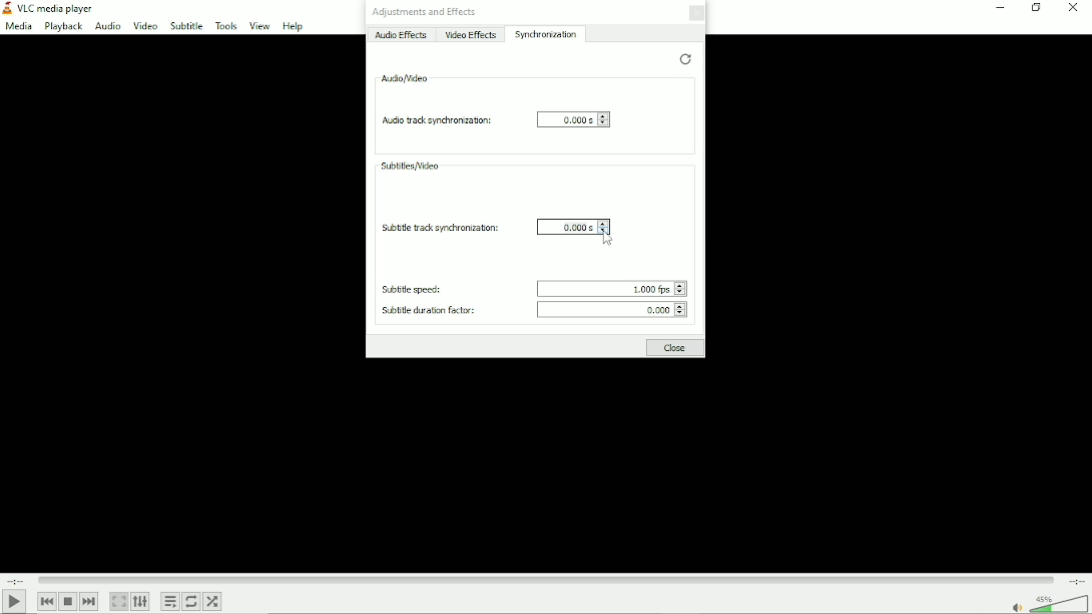 This screenshot has height=614, width=1092. I want to click on Toggle between loop all, loop one and no loop, so click(191, 601).